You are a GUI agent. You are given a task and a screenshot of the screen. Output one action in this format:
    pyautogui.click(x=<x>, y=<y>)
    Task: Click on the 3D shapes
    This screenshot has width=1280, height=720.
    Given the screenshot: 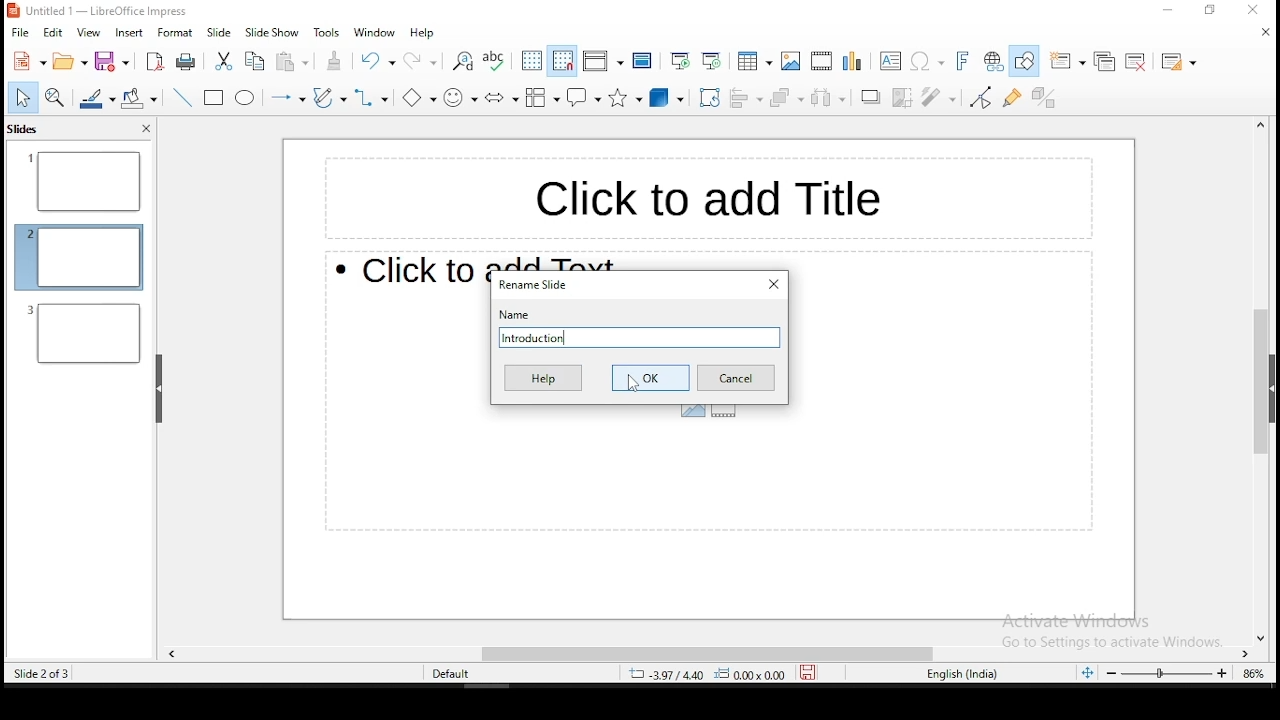 What is the action you would take?
    pyautogui.click(x=668, y=99)
    